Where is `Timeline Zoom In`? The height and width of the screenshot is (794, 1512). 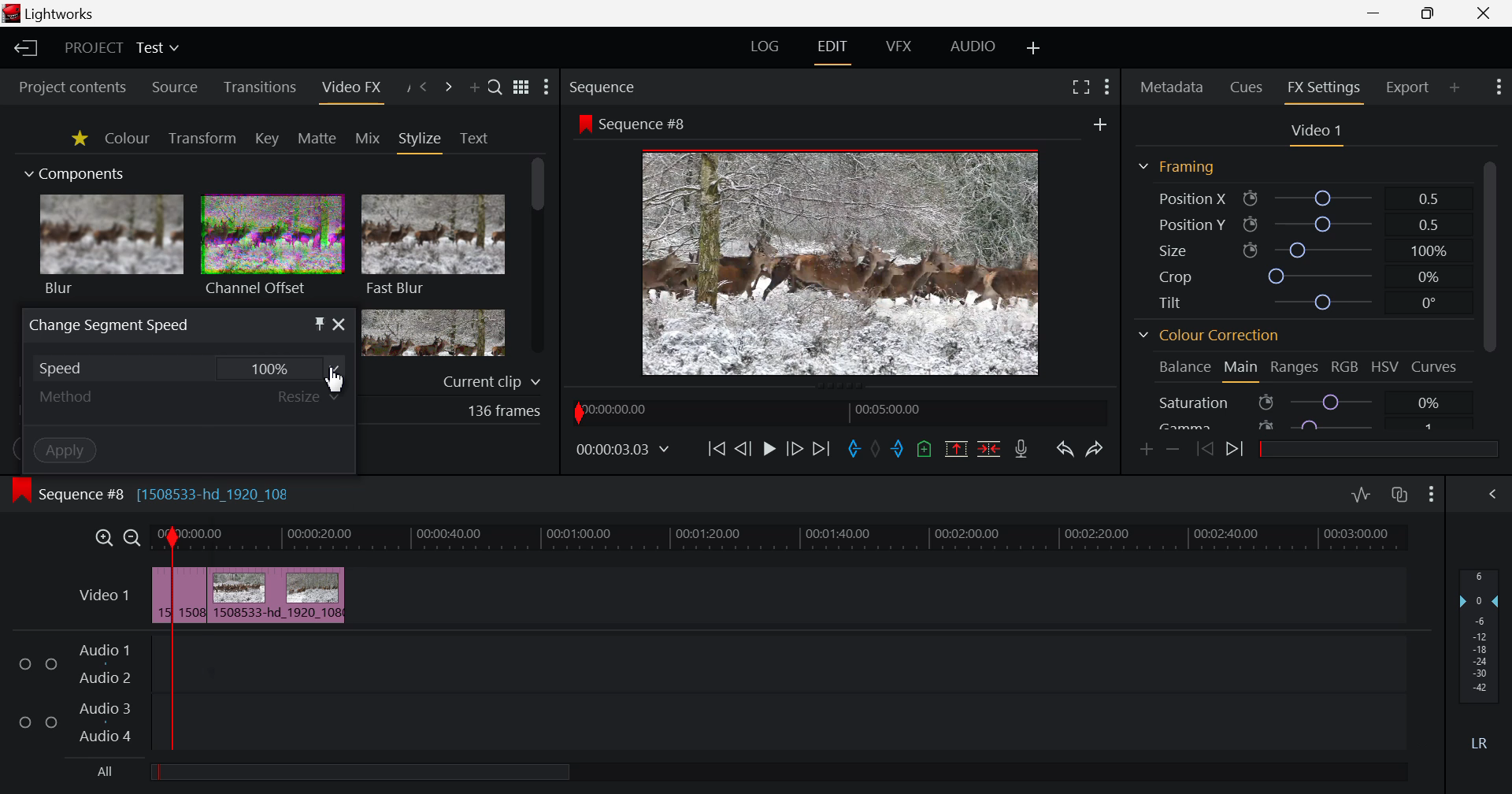
Timeline Zoom In is located at coordinates (102, 538).